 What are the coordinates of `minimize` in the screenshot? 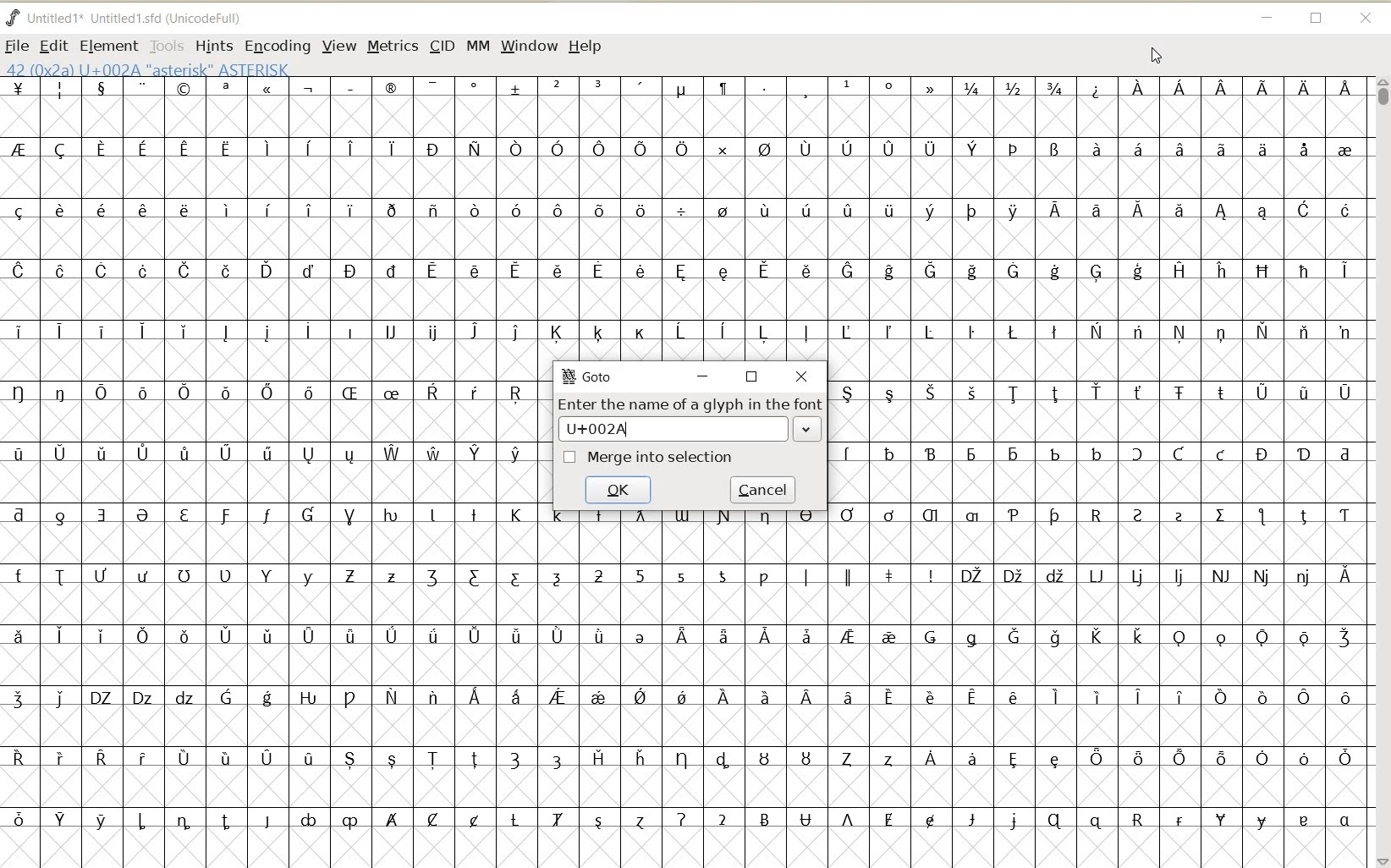 It's located at (701, 376).